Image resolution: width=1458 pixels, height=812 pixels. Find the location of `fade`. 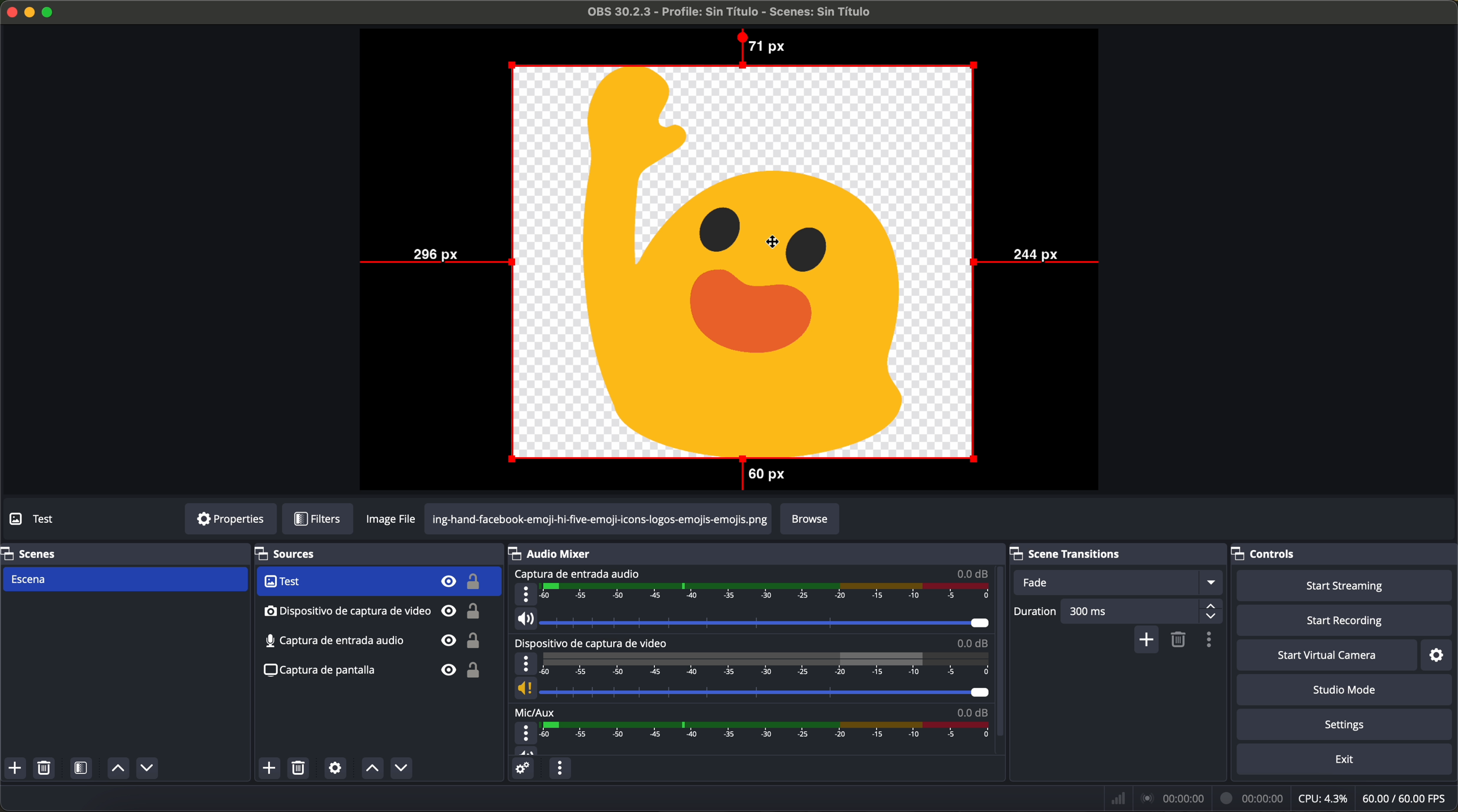

fade is located at coordinates (1116, 582).